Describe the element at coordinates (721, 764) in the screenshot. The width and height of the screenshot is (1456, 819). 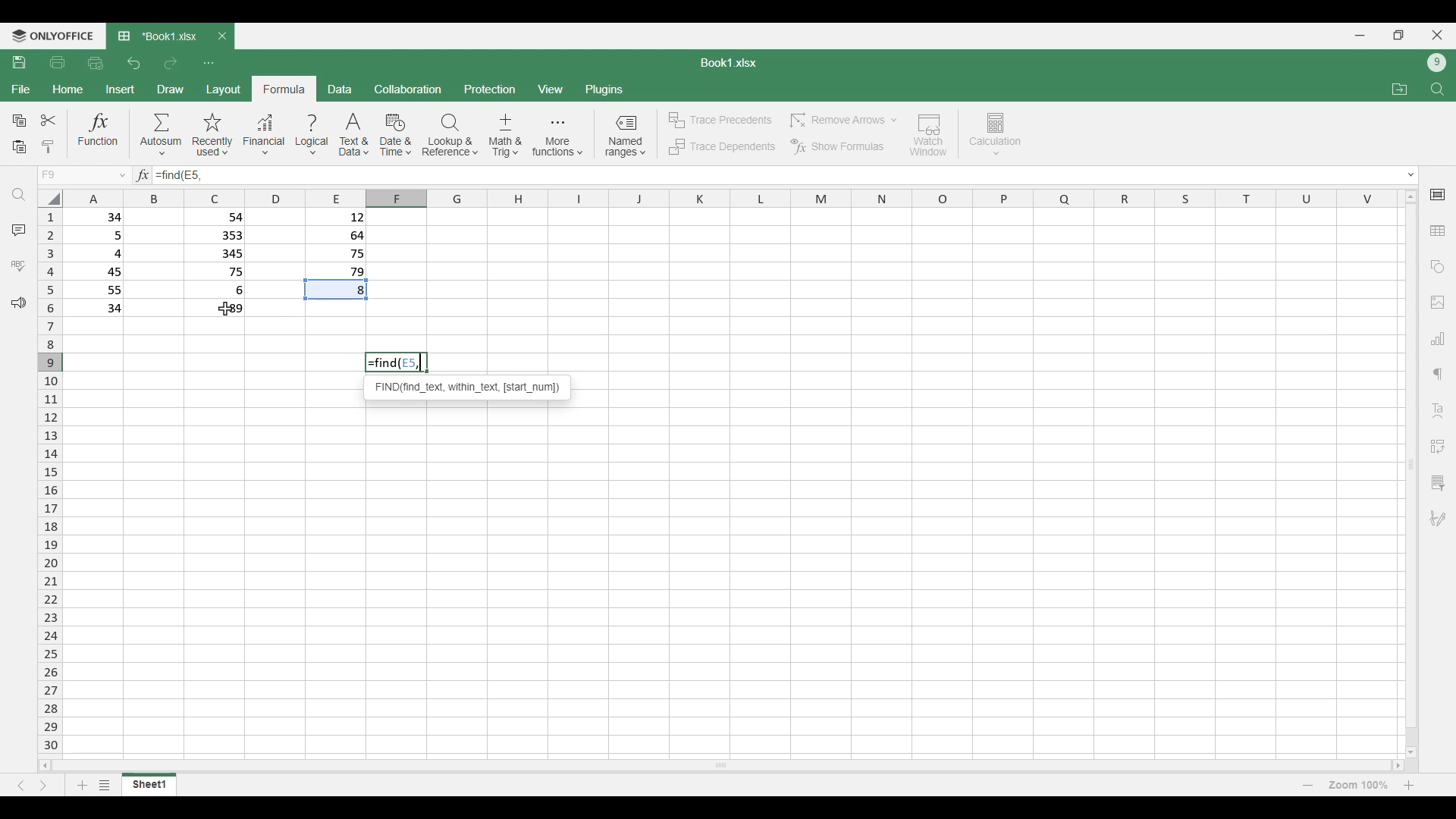
I see `Horizontal slide bar` at that location.